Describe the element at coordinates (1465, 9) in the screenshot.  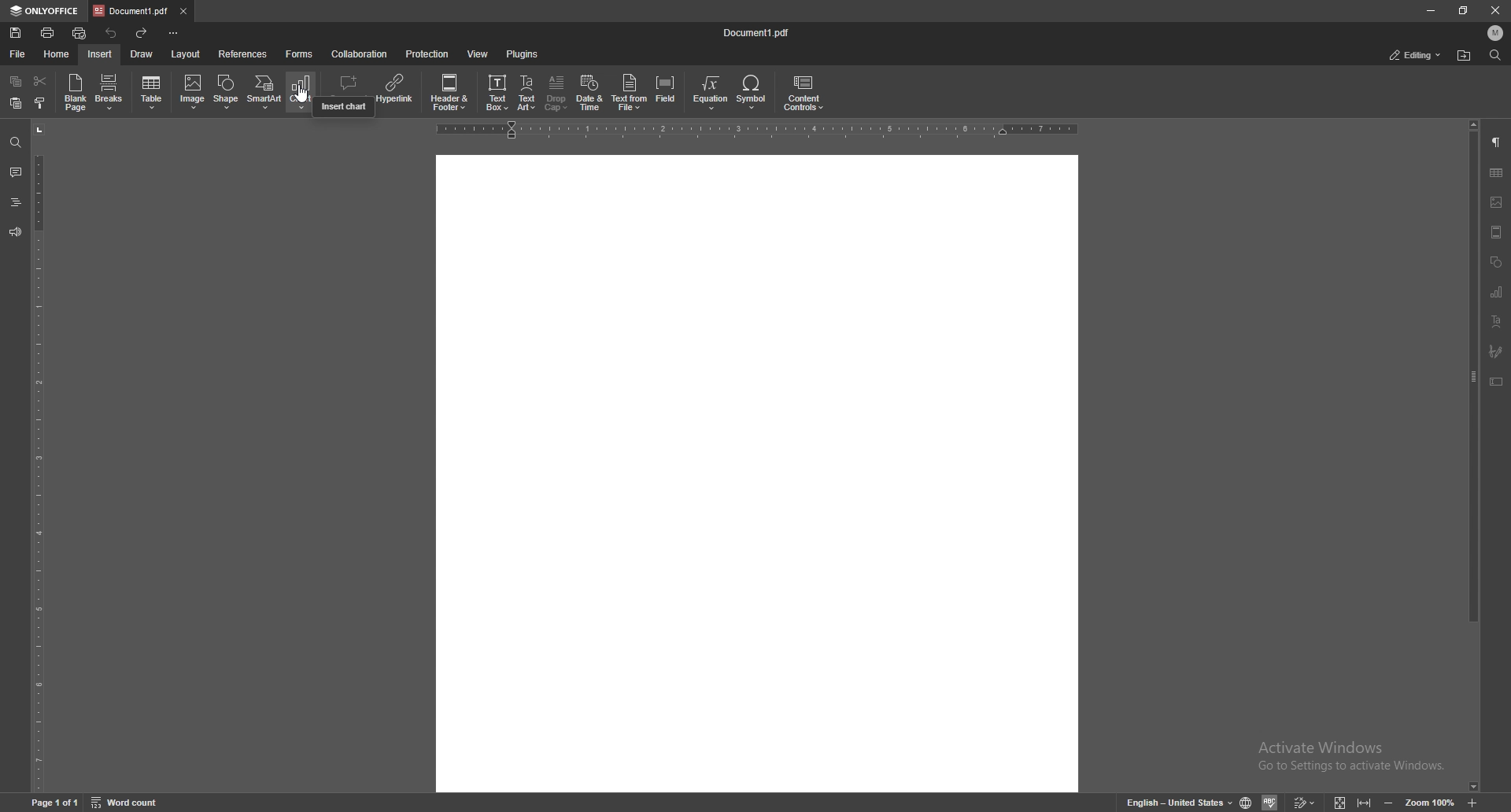
I see `resize` at that location.